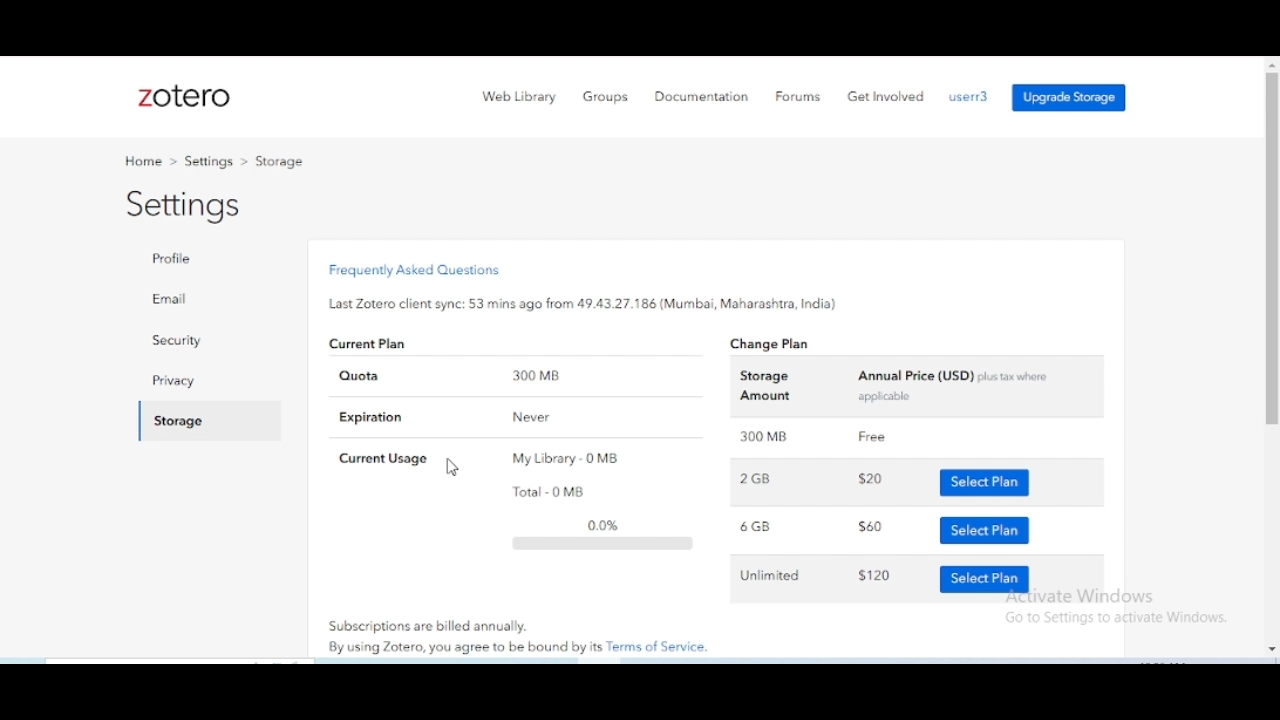 The image size is (1280, 720). What do you see at coordinates (1272, 358) in the screenshot?
I see `vertical scroll bar` at bounding box center [1272, 358].